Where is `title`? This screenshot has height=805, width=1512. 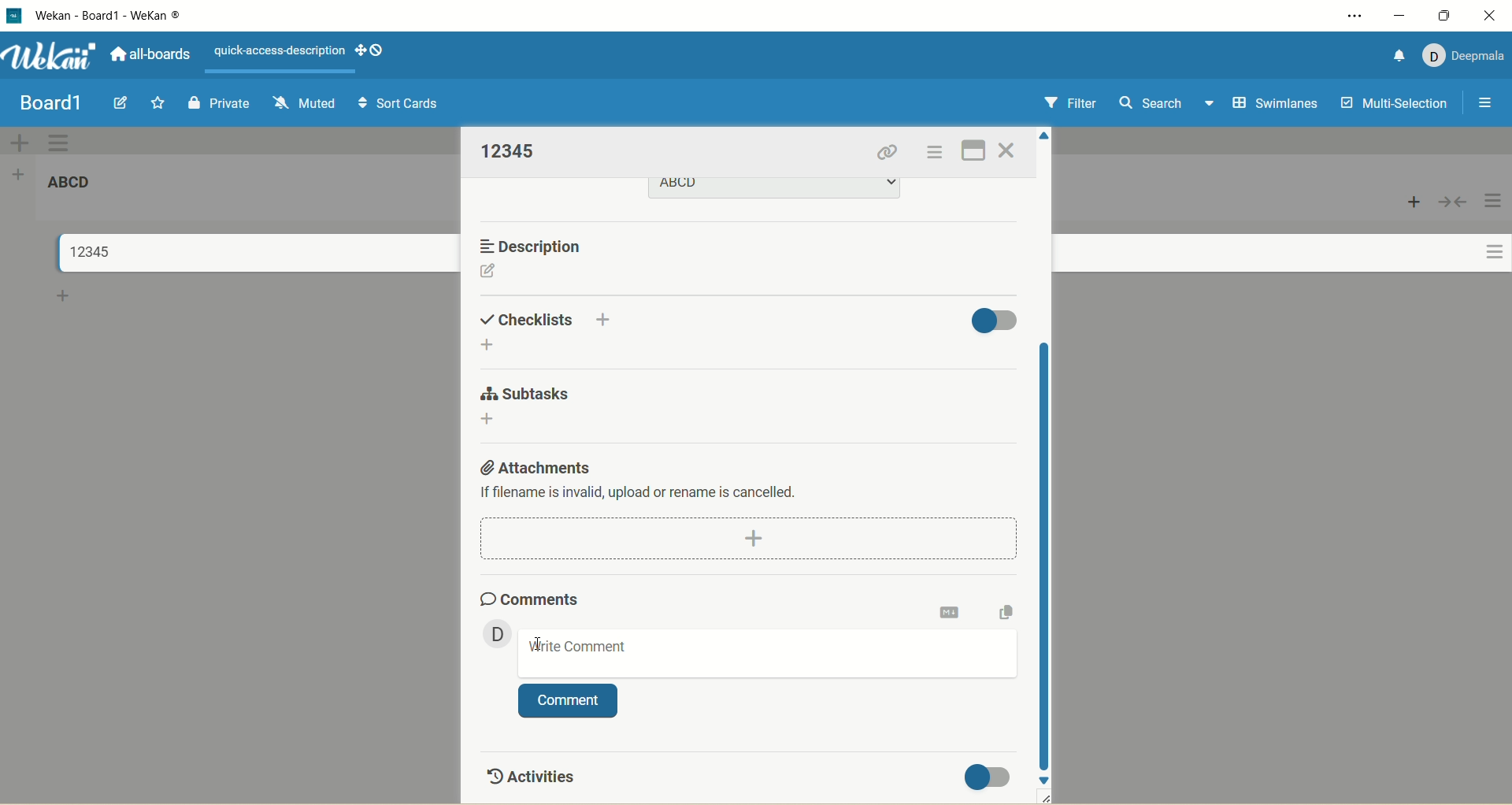 title is located at coordinates (136, 16).